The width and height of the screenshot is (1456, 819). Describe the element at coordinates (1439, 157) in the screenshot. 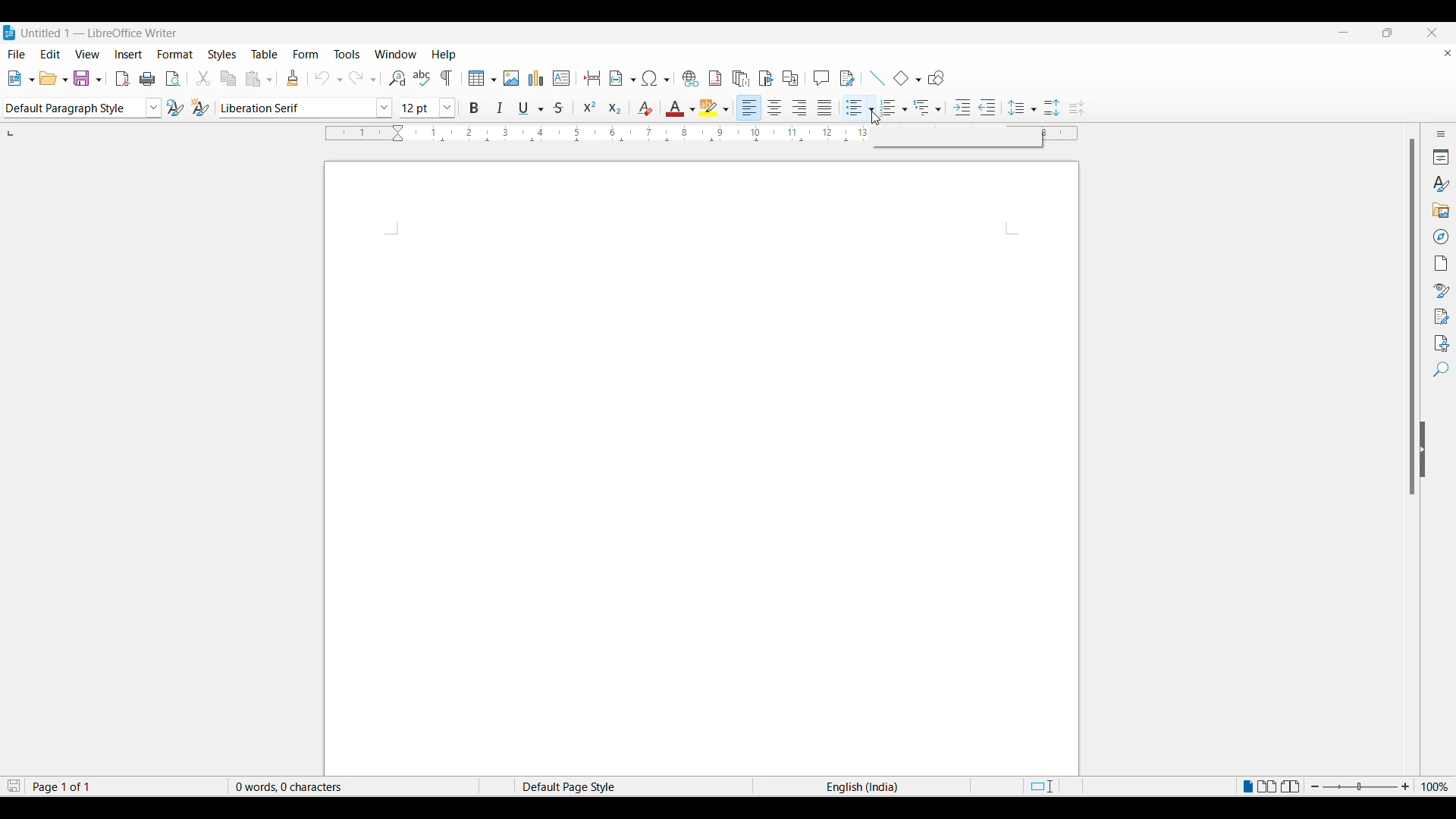

I see `Properties"` at that location.